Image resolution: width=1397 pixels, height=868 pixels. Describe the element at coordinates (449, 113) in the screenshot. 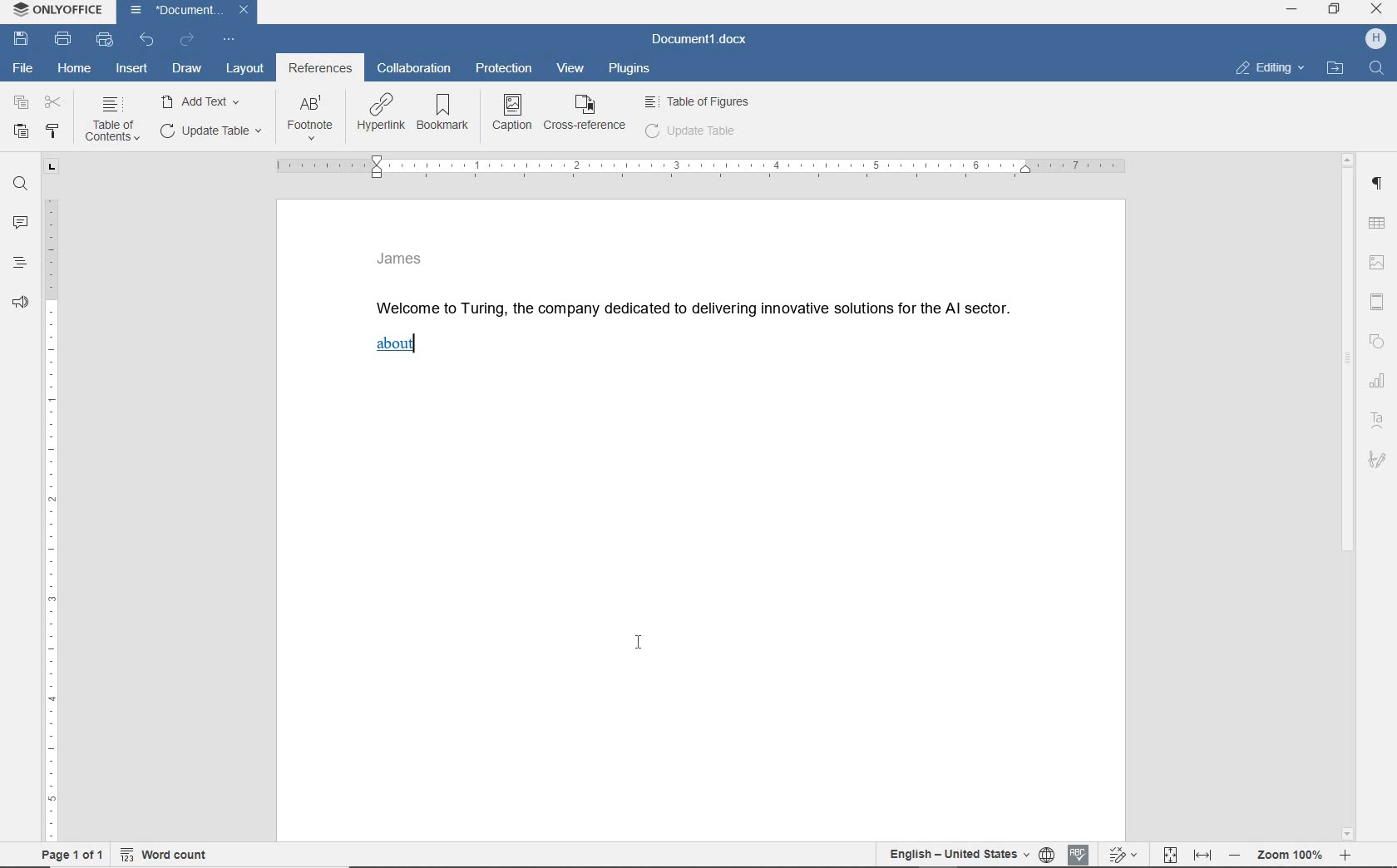

I see `BOOKMARK` at that location.